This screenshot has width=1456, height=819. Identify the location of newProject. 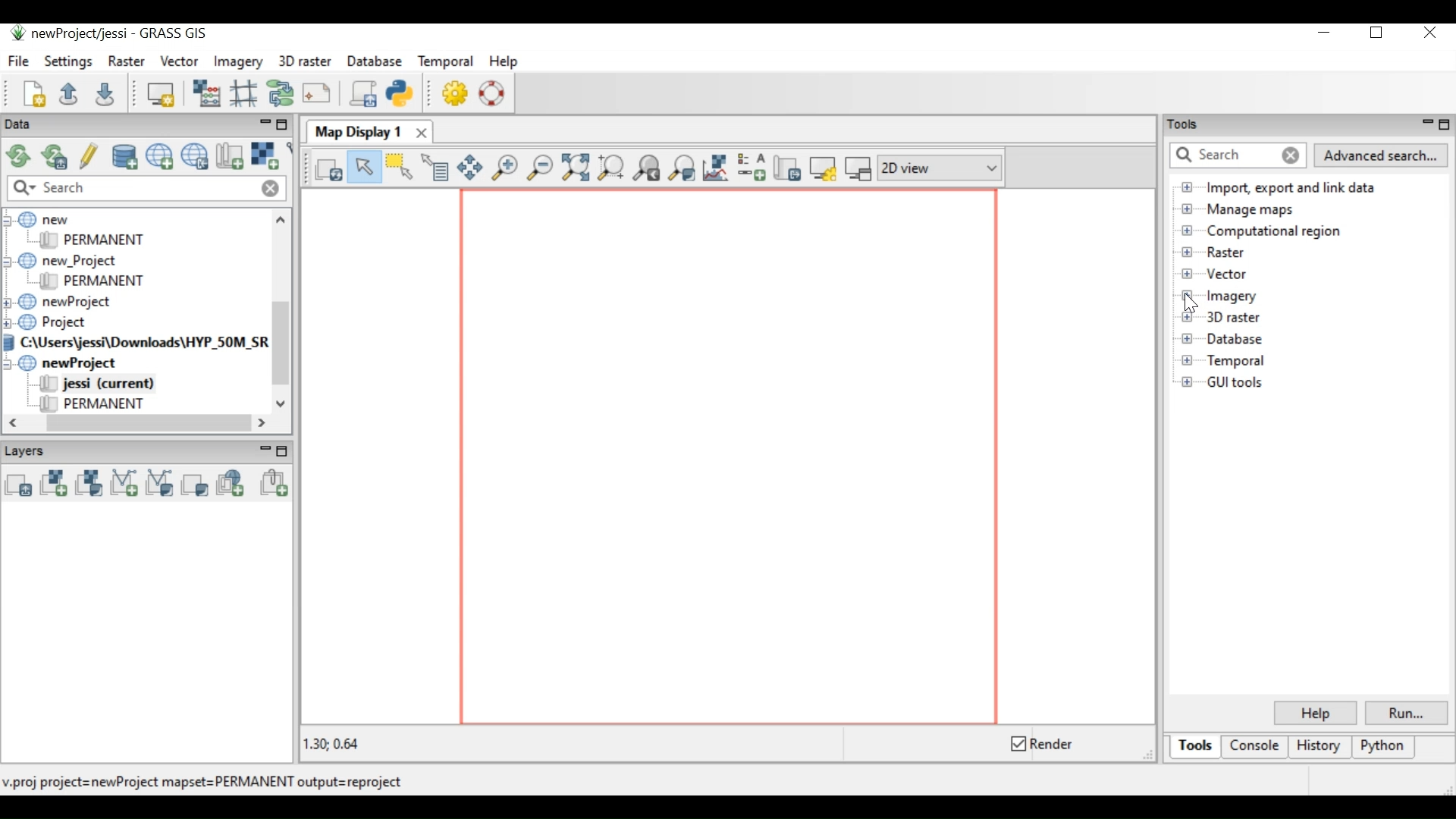
(80, 365).